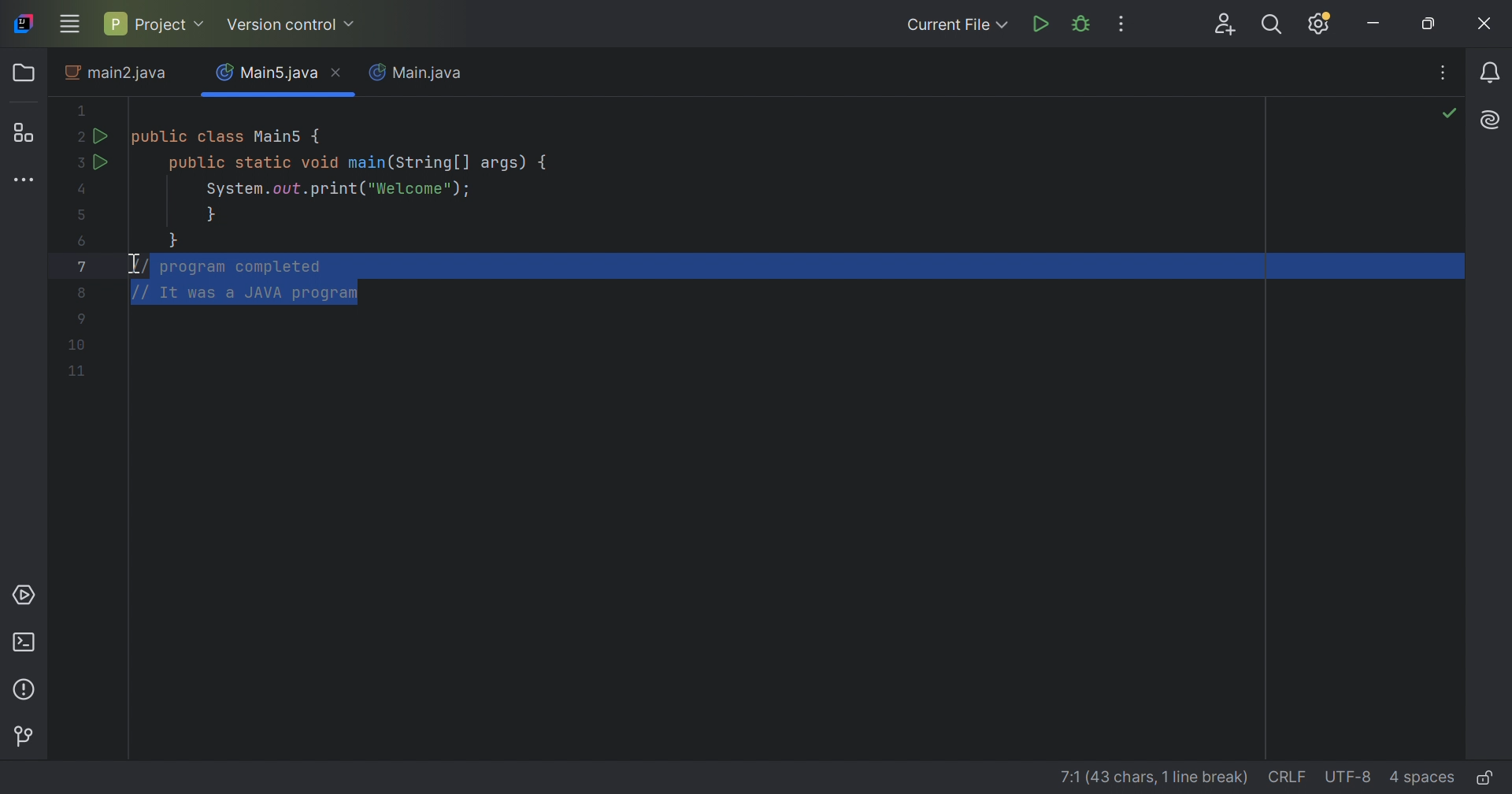 Image resolution: width=1512 pixels, height=794 pixels. What do you see at coordinates (1422, 776) in the screenshot?
I see `4 spaces(Indent)` at bounding box center [1422, 776].